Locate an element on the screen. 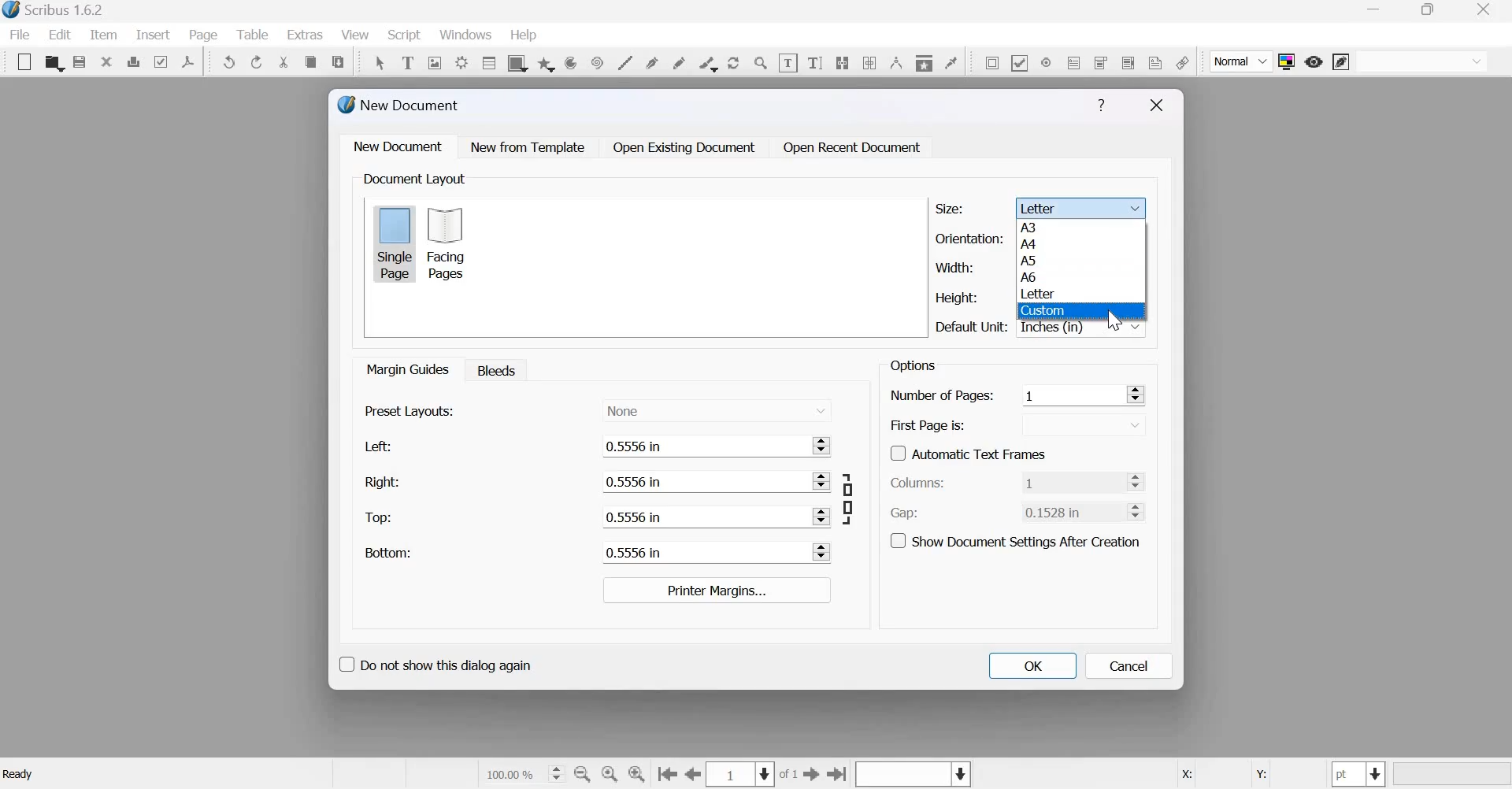 The image size is (1512, 789). go to the next page is located at coordinates (812, 773).